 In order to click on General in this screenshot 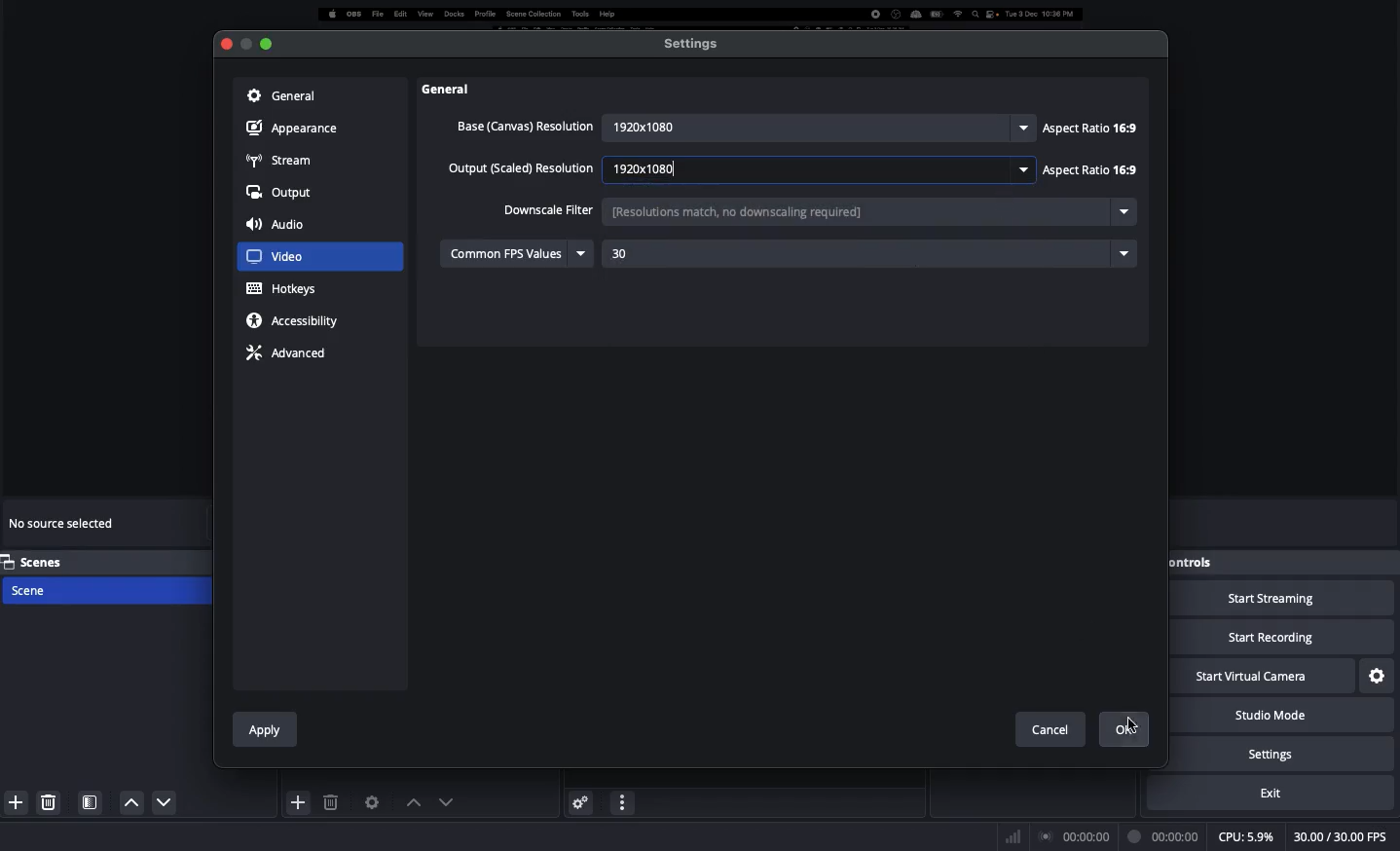, I will do `click(279, 94)`.